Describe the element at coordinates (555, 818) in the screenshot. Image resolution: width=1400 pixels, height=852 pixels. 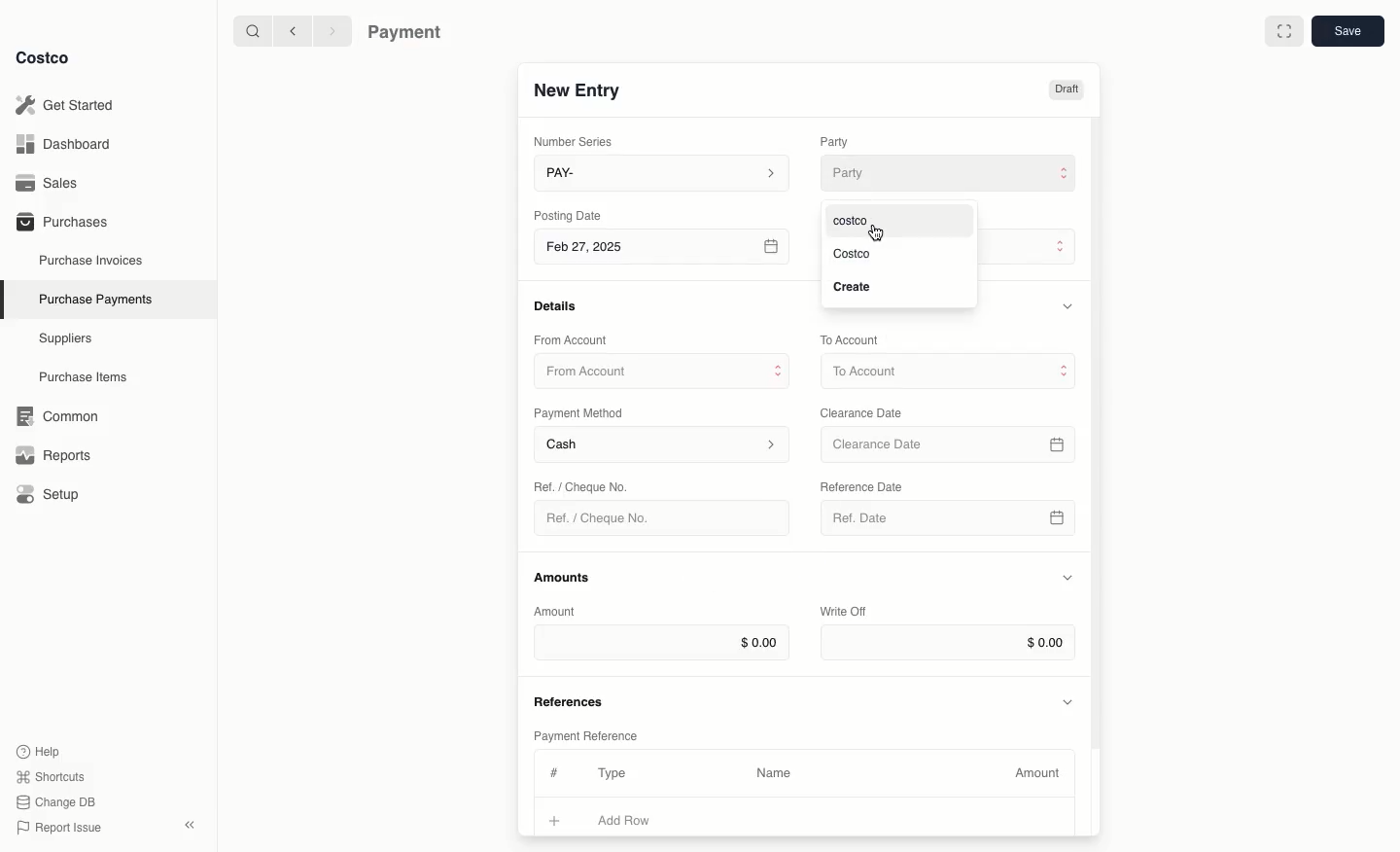
I see `Add` at that location.